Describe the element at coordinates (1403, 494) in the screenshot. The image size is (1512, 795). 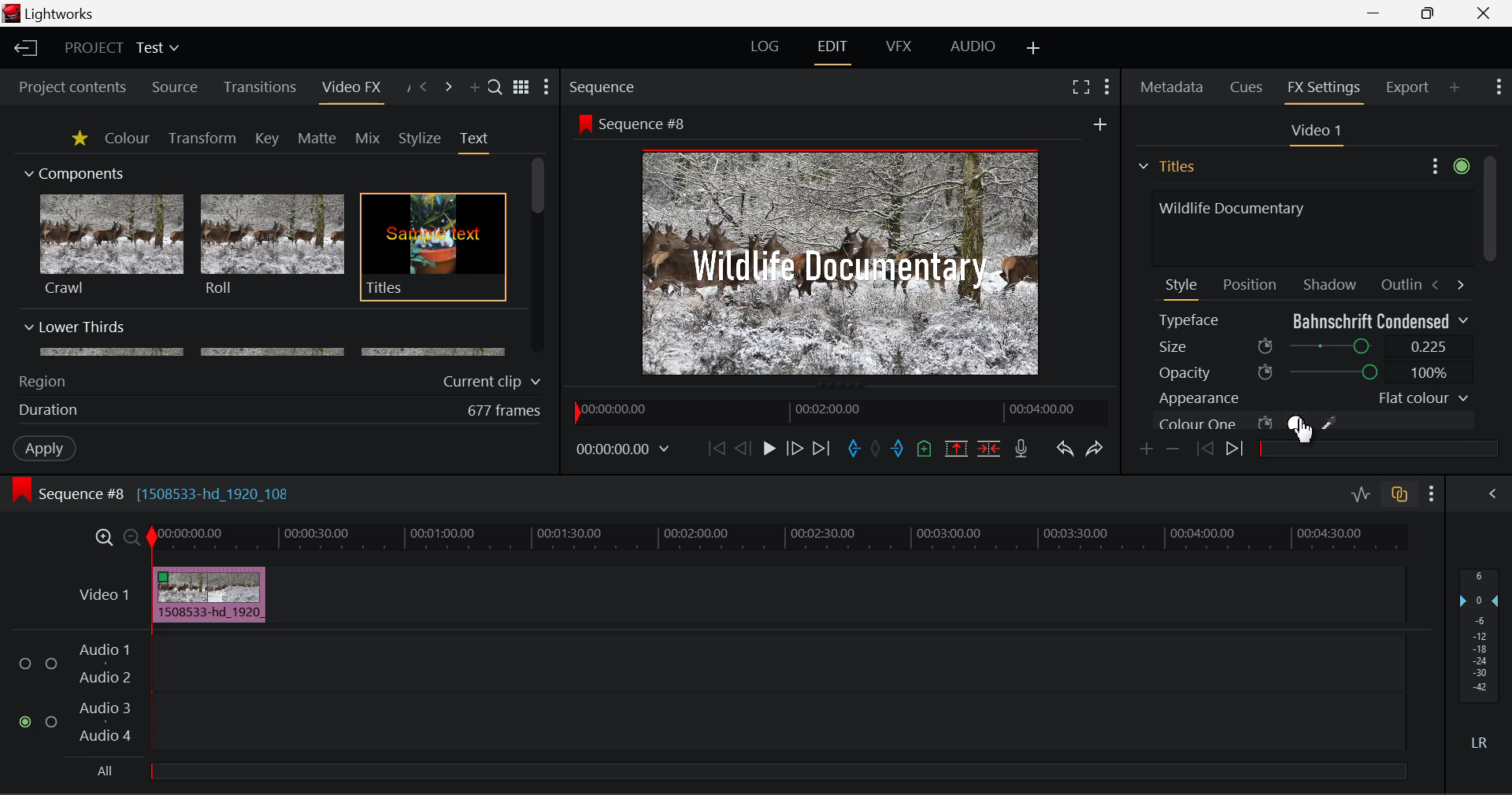
I see `Toggle auto track sync` at that location.